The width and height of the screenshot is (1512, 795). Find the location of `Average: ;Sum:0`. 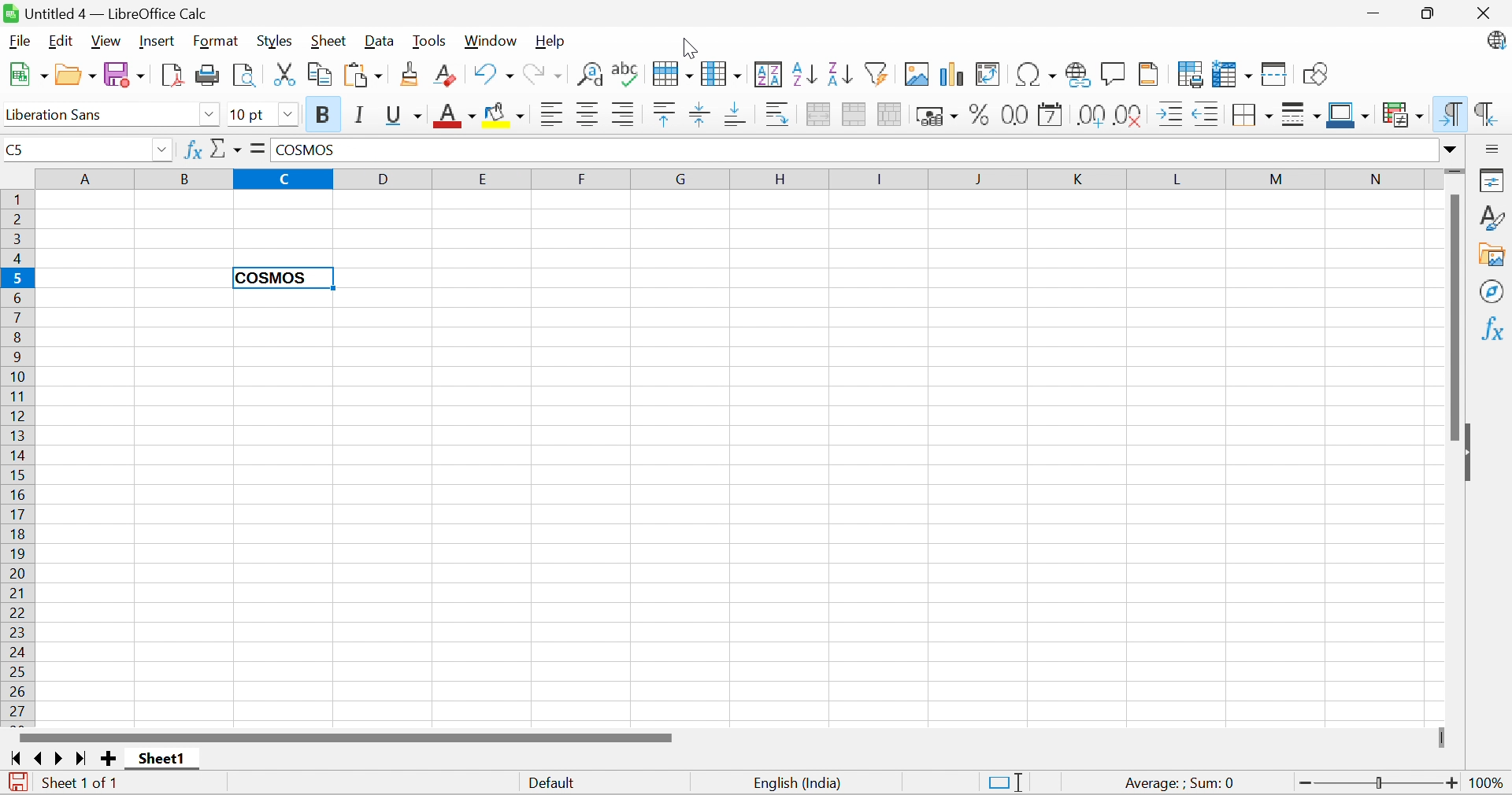

Average: ;Sum:0 is located at coordinates (1180, 784).